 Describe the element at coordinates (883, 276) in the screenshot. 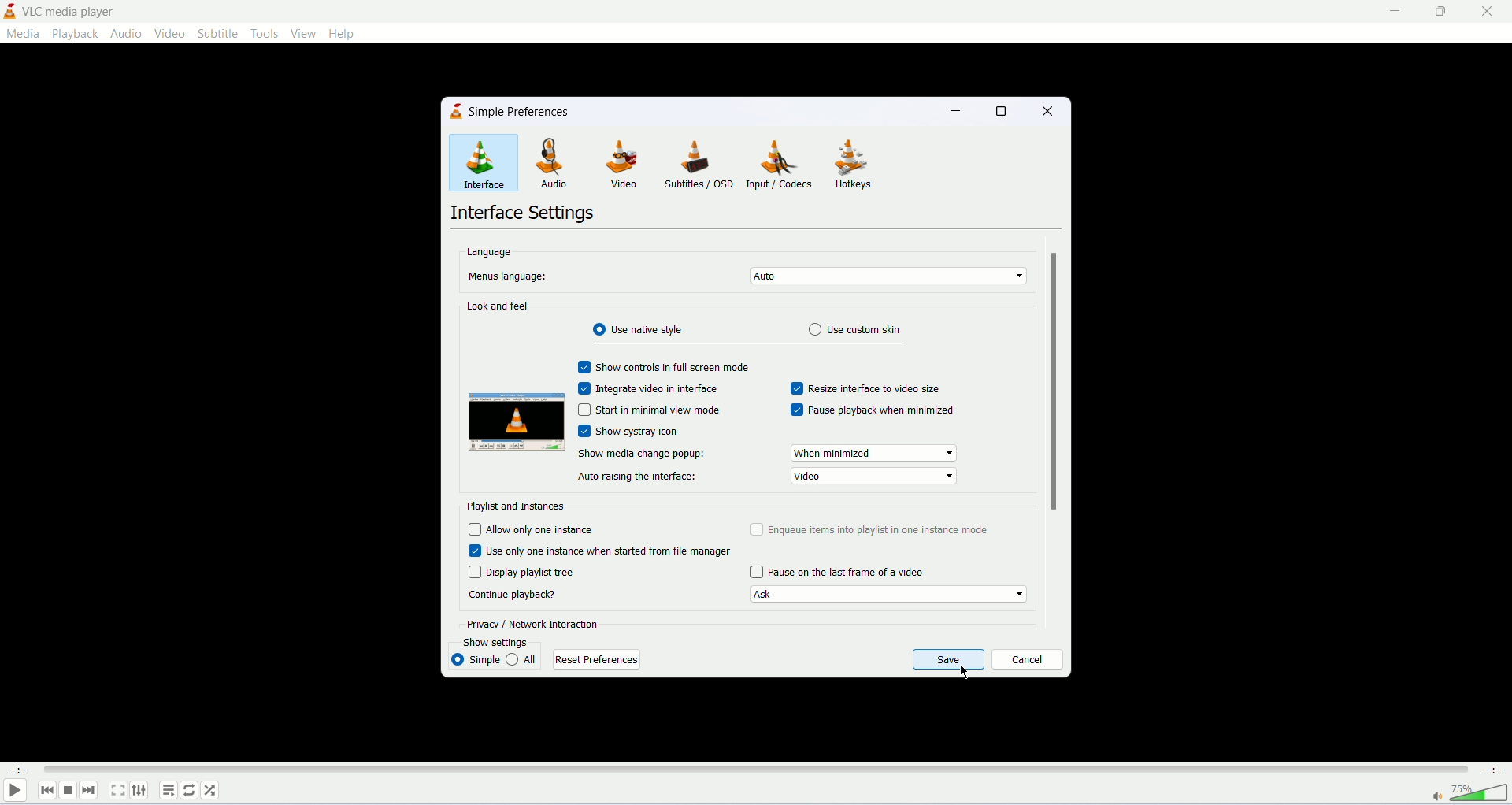

I see `Language Select` at that location.